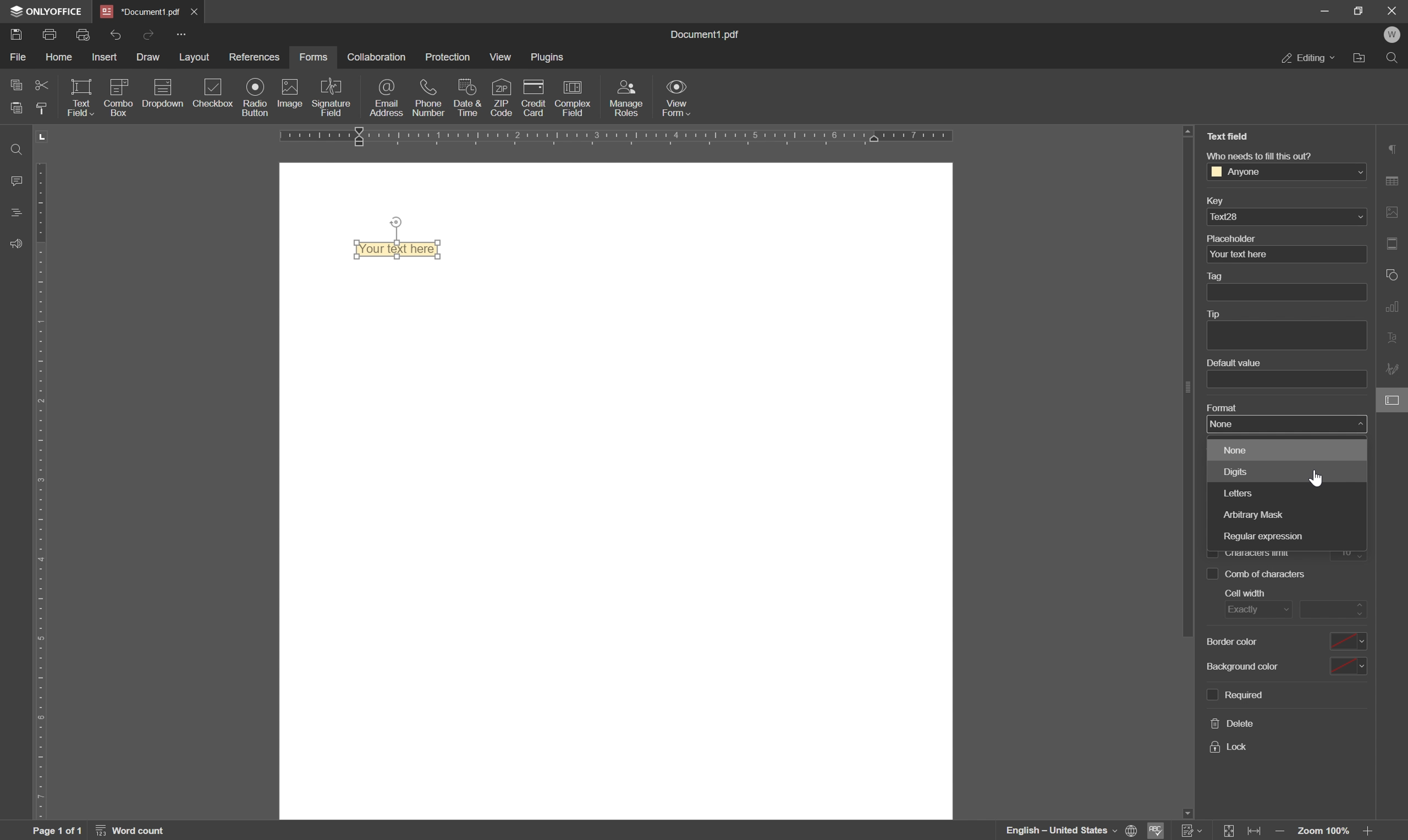  What do you see at coordinates (1240, 492) in the screenshot?
I see `letters` at bounding box center [1240, 492].